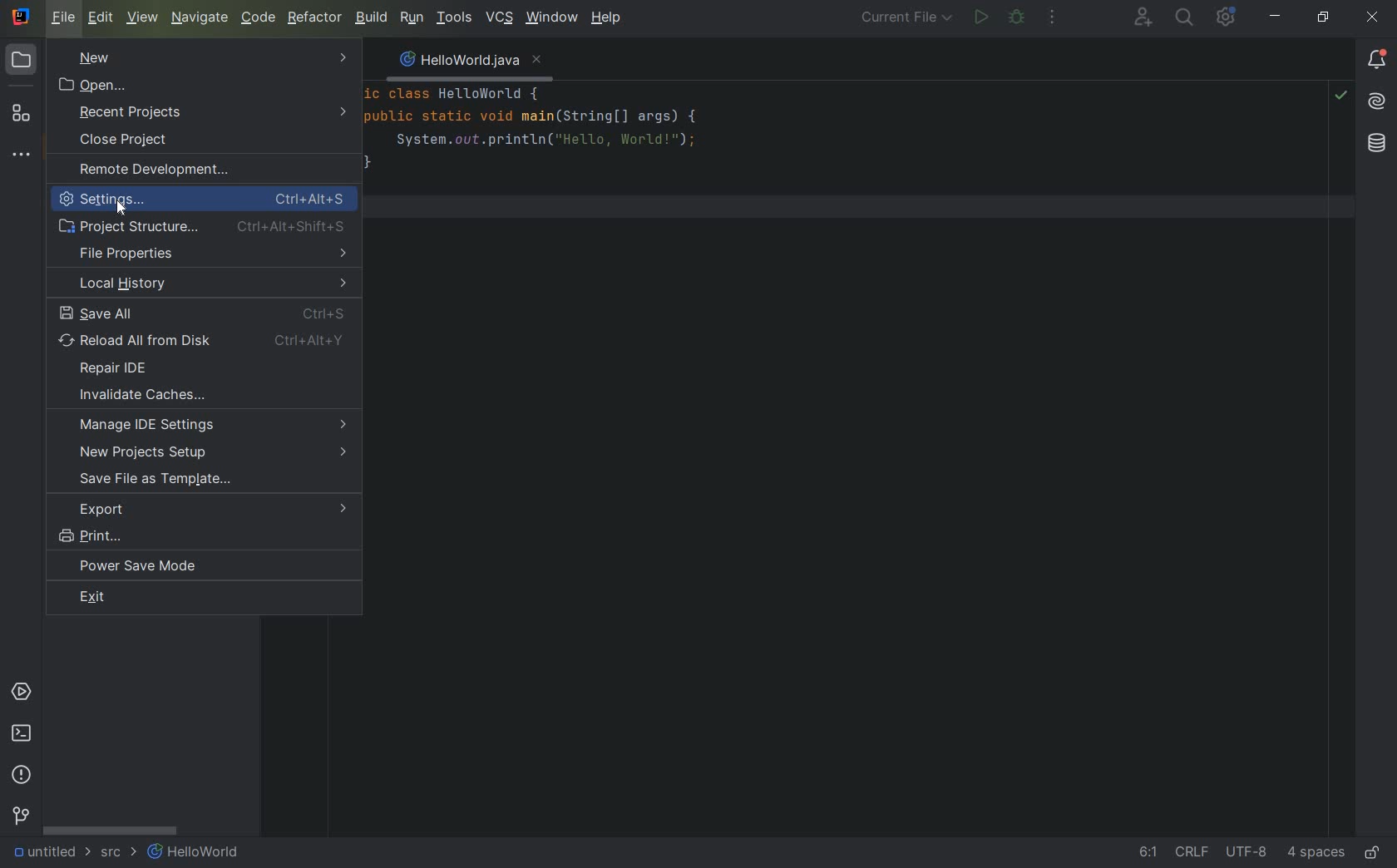 The height and width of the screenshot is (868, 1397). What do you see at coordinates (196, 536) in the screenshot?
I see `print` at bounding box center [196, 536].